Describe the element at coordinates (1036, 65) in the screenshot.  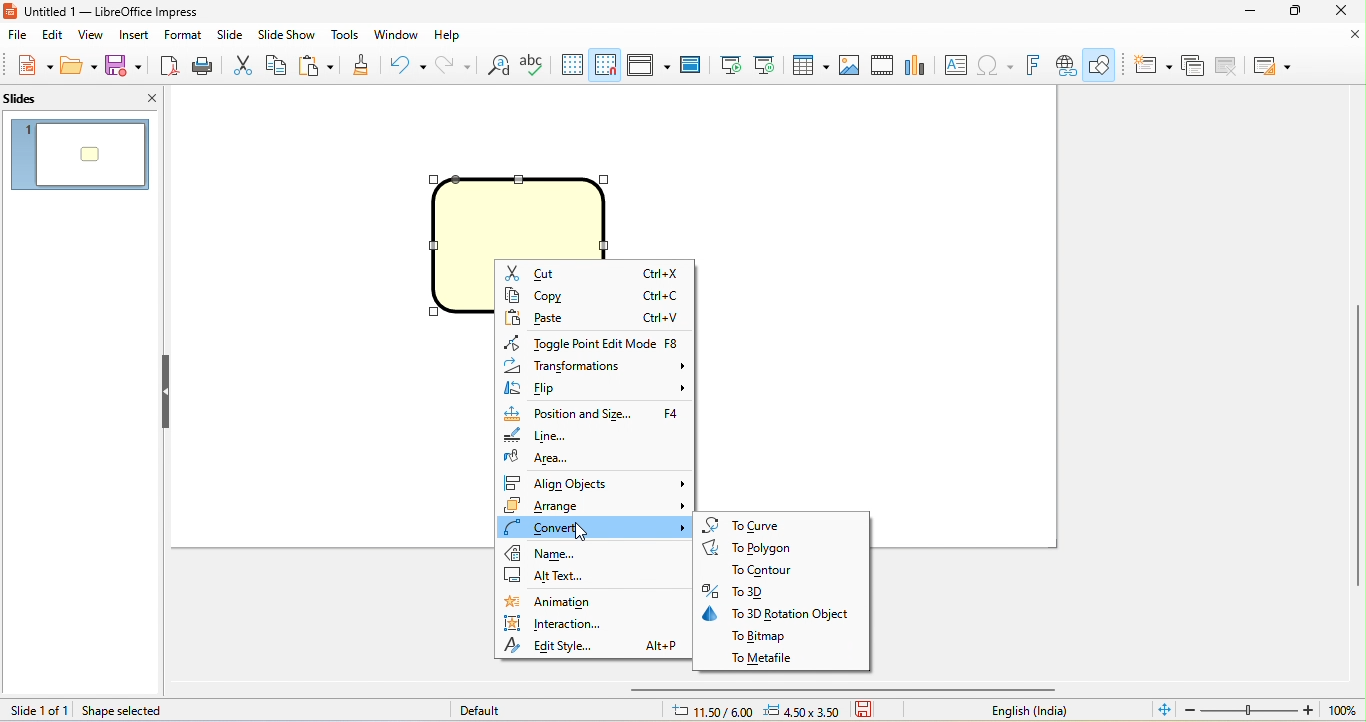
I see `fontwork text` at that location.